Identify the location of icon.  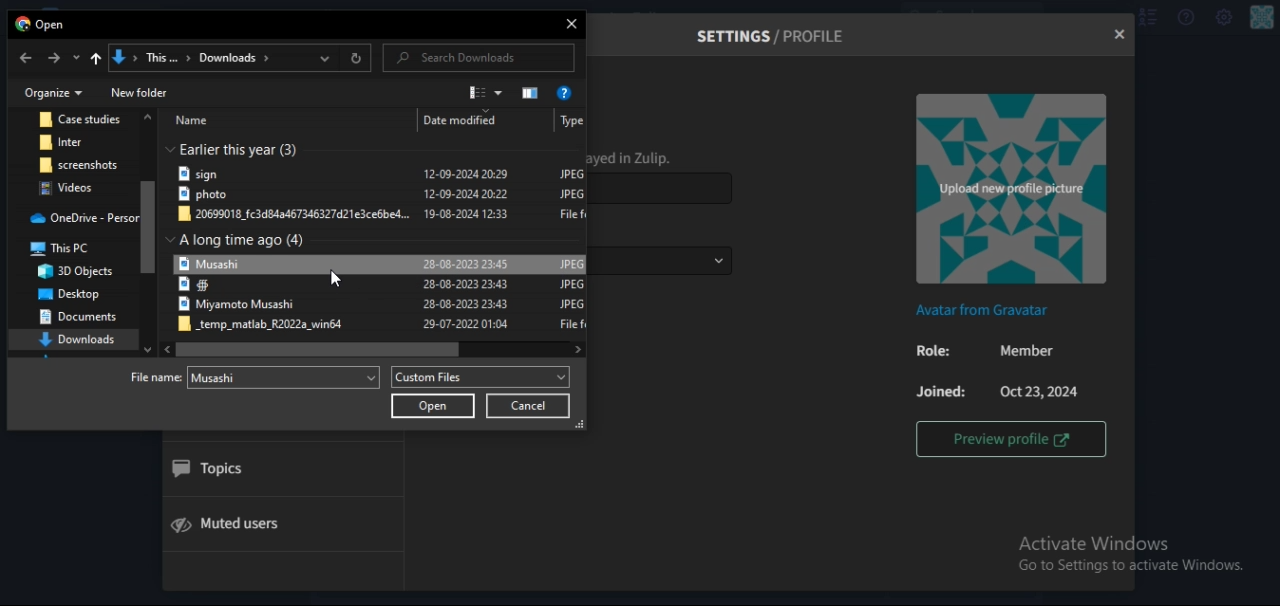
(532, 92).